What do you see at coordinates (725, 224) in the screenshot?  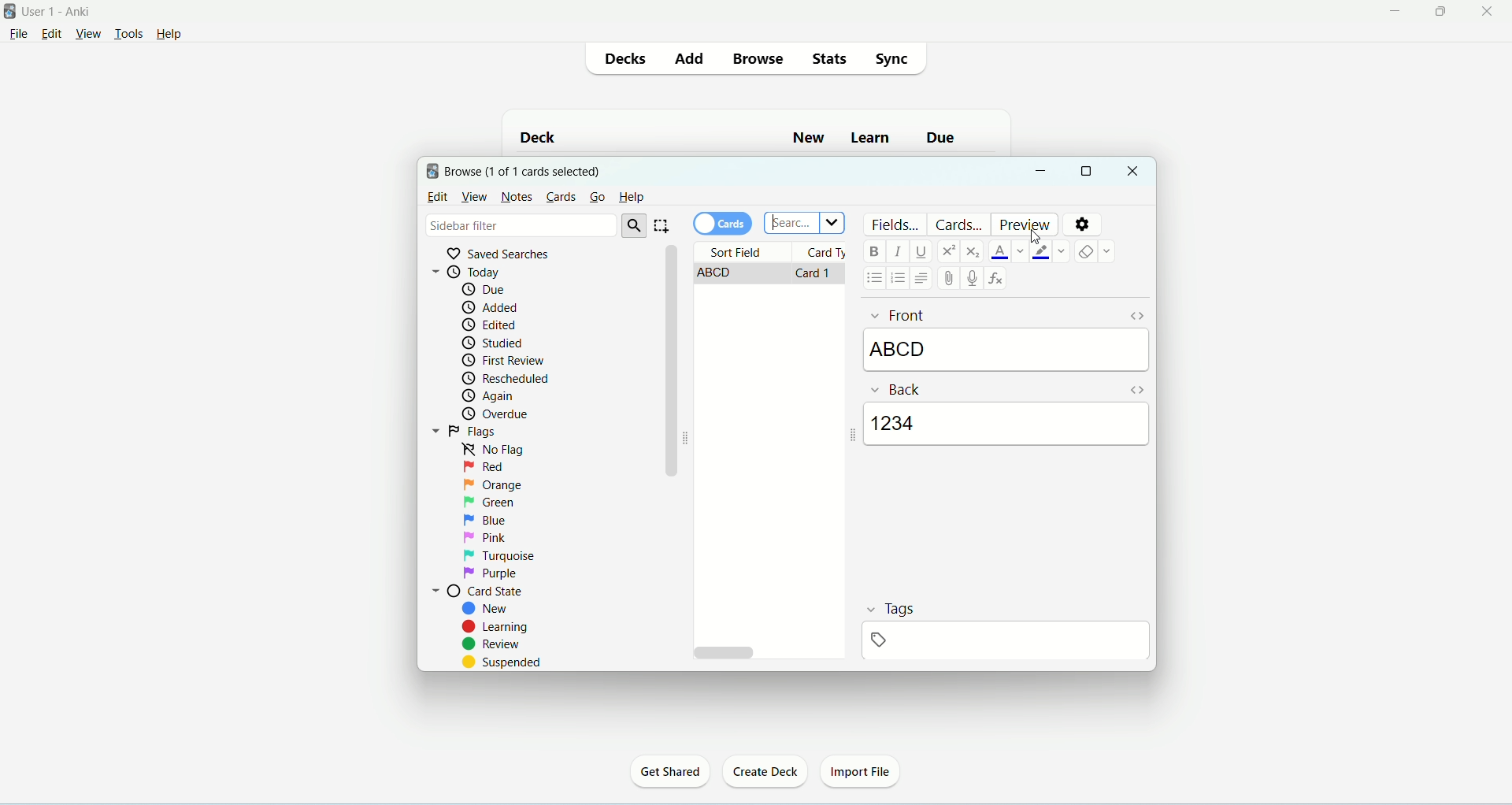 I see `card` at bounding box center [725, 224].